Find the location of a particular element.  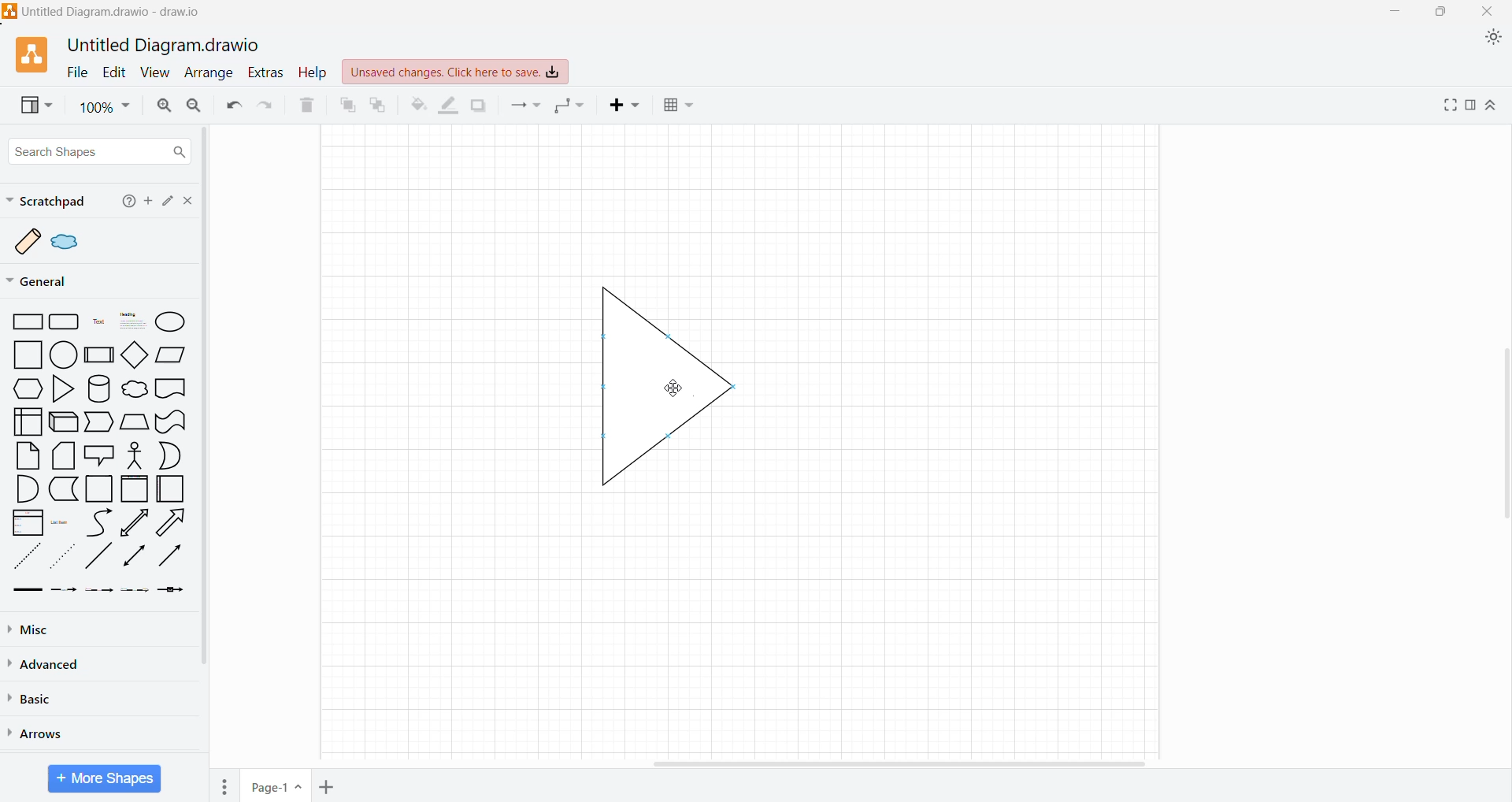

Application Logo is located at coordinates (25, 56).